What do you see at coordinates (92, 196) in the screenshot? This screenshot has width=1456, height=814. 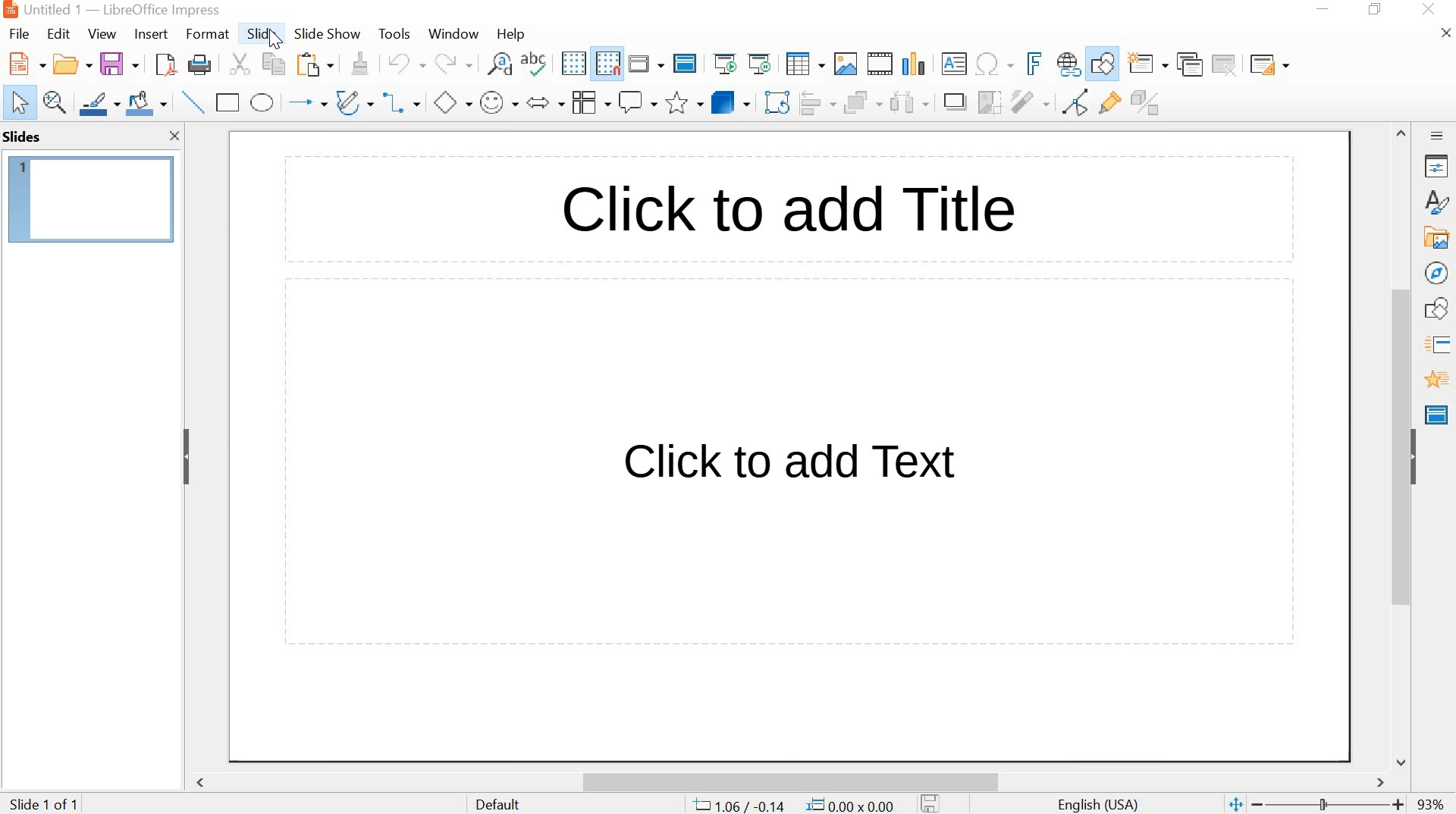 I see `Slide 1` at bounding box center [92, 196].